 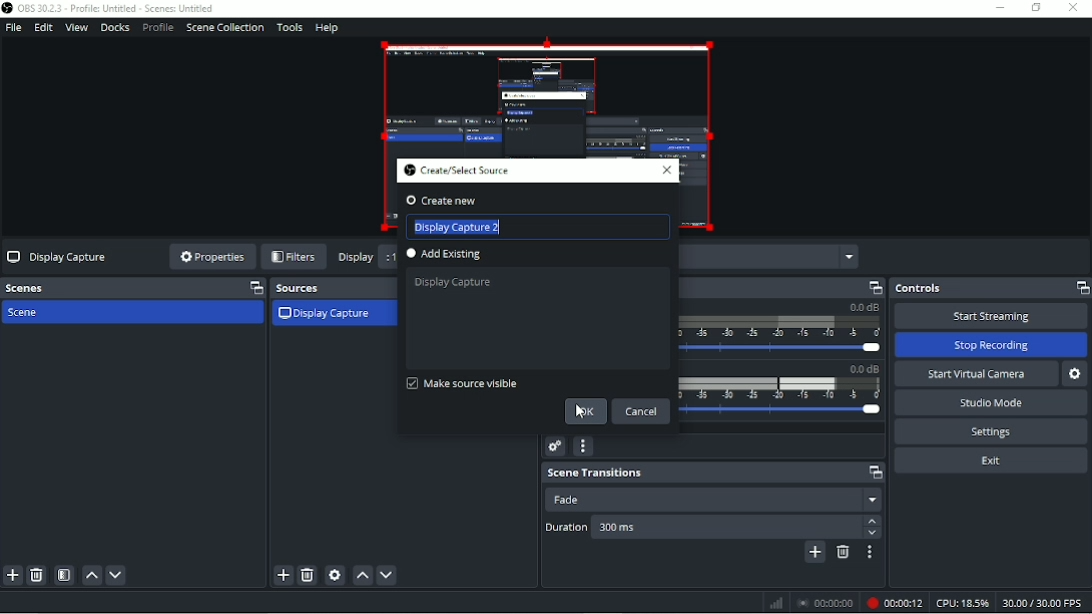 I want to click on Settings, so click(x=990, y=431).